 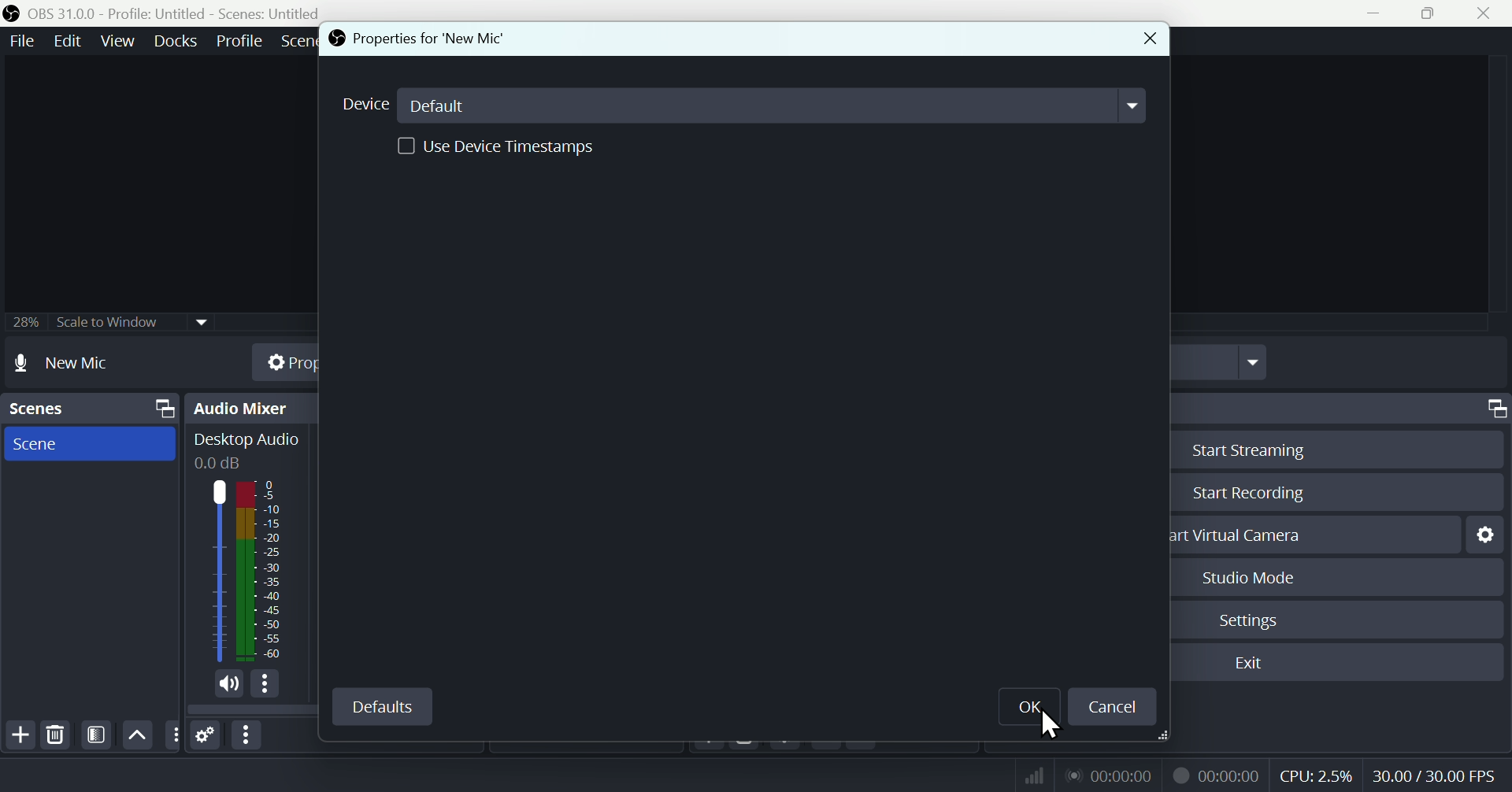 What do you see at coordinates (1111, 707) in the screenshot?
I see `cancel` at bounding box center [1111, 707].